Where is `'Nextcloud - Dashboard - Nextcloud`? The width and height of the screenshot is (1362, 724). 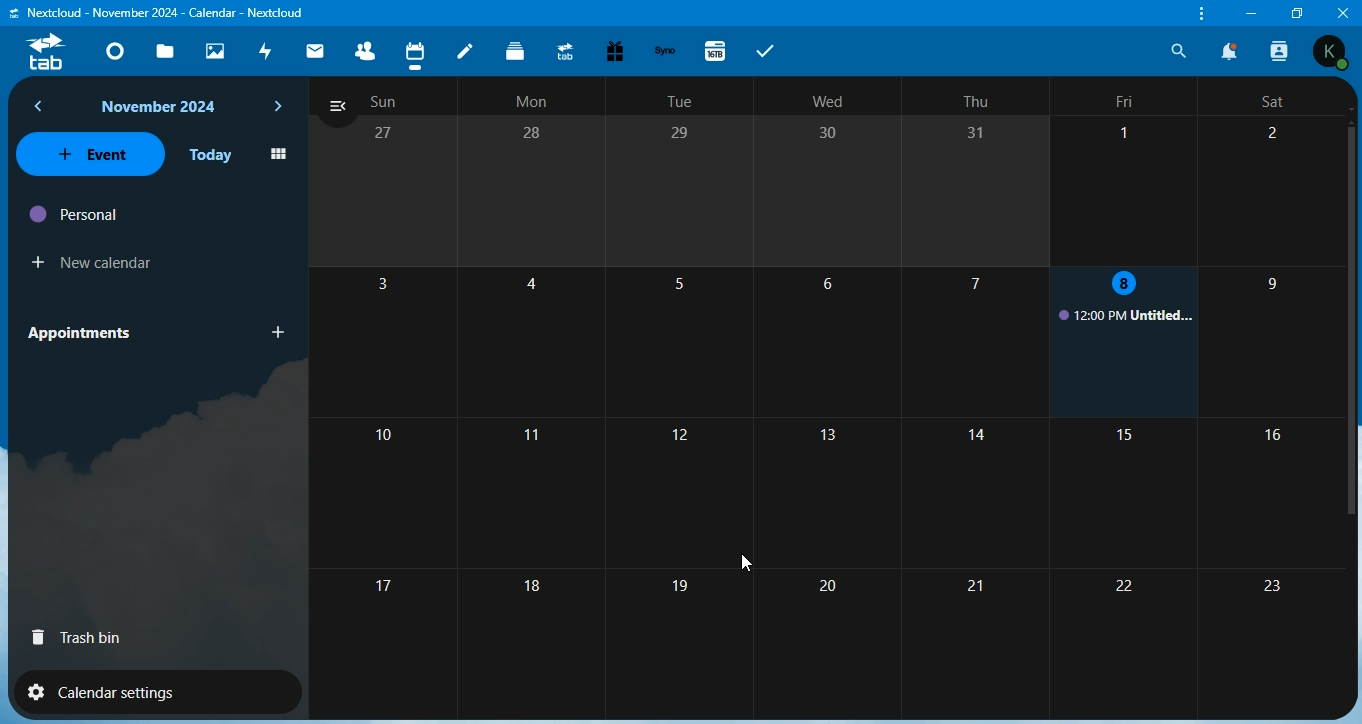 'Nextcloud - Dashboard - Nextcloud is located at coordinates (163, 10).